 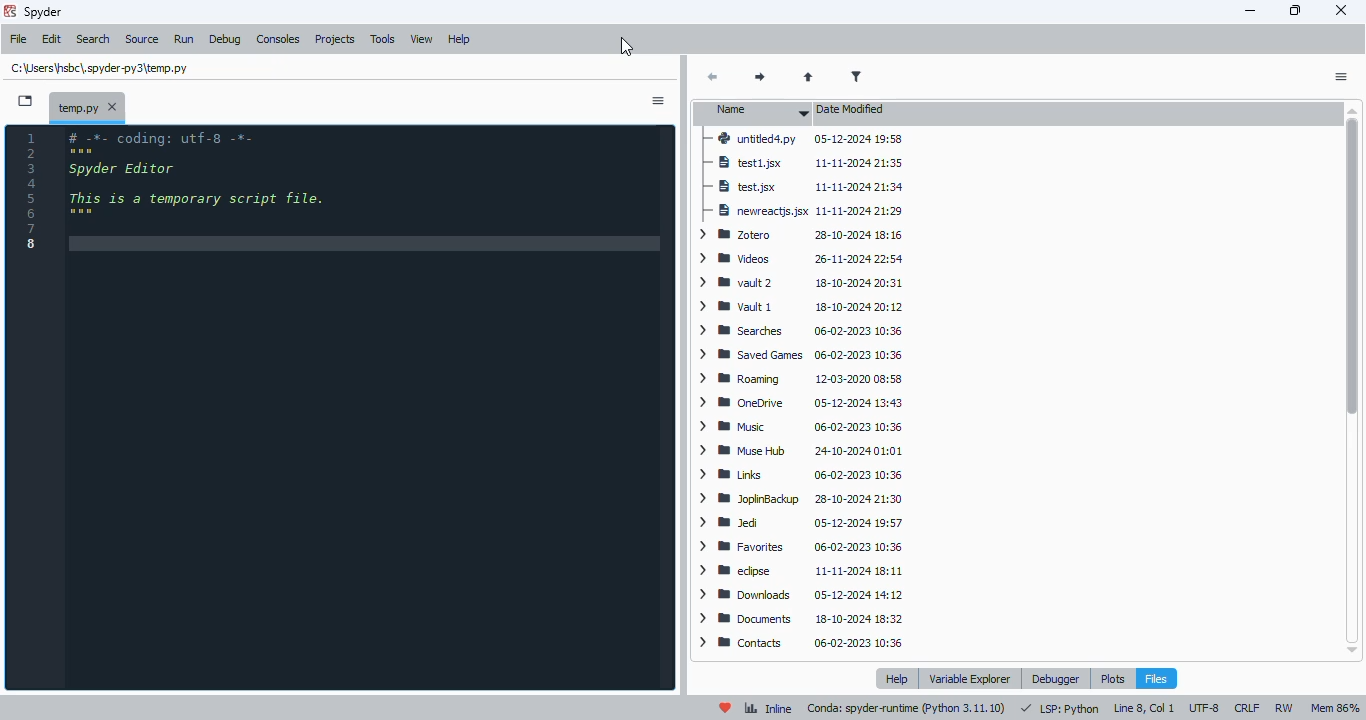 What do you see at coordinates (34, 192) in the screenshot?
I see `line numbers` at bounding box center [34, 192].